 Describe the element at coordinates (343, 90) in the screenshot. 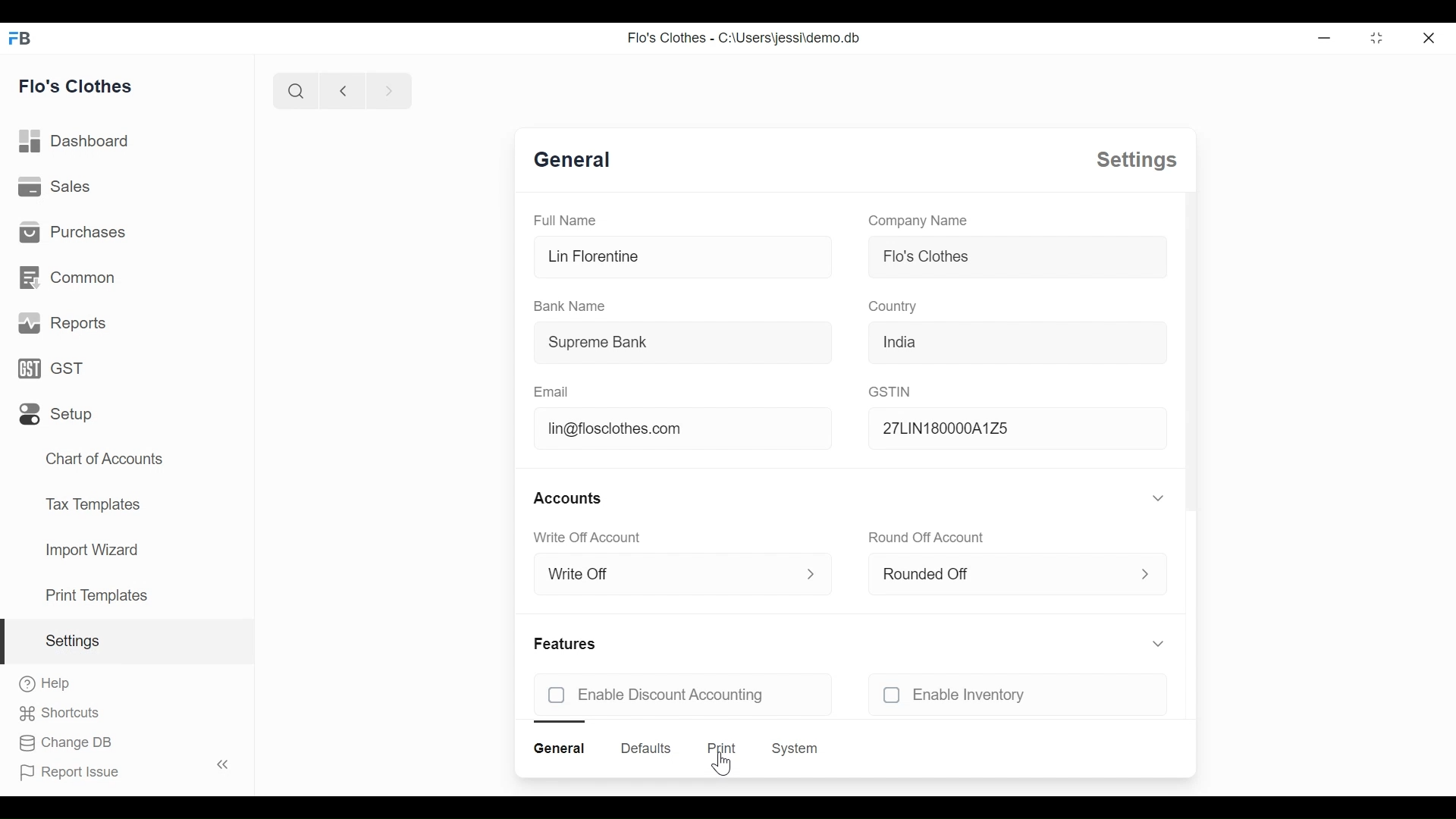

I see `previous` at that location.